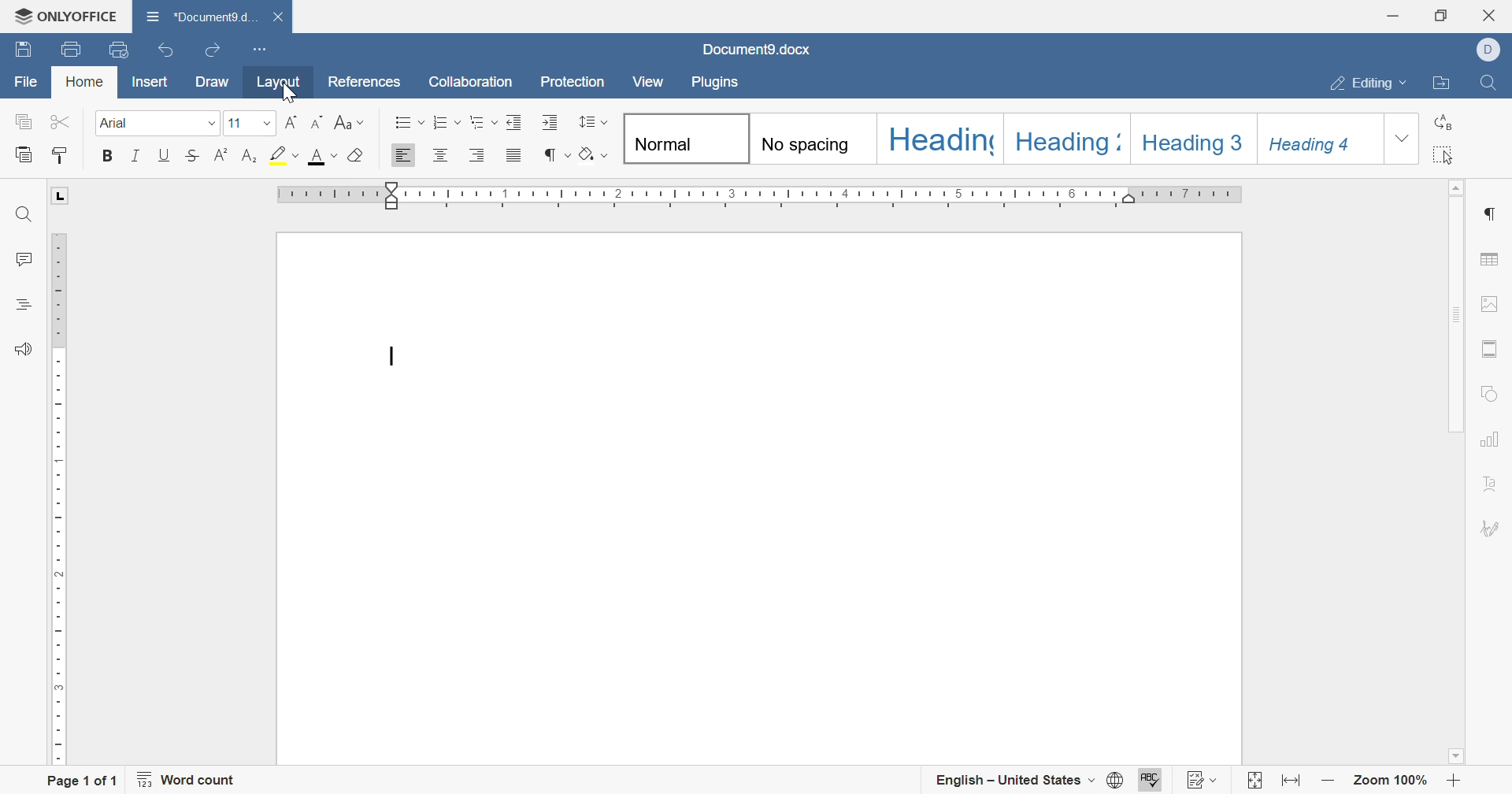 The image size is (1512, 794). Describe the element at coordinates (1288, 784) in the screenshot. I see `fit to width` at that location.